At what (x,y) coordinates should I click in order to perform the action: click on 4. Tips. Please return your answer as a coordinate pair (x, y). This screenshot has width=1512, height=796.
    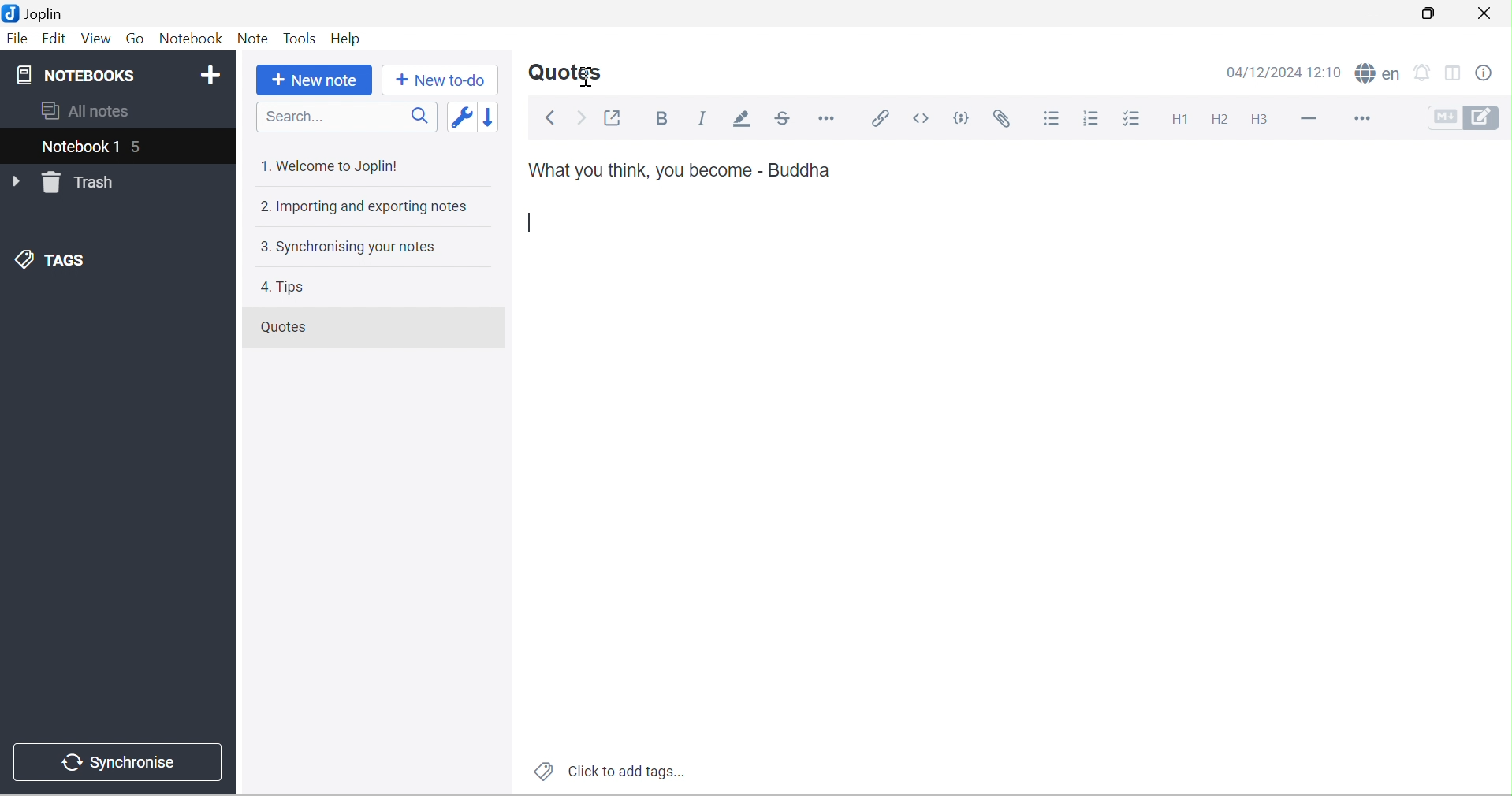
    Looking at the image, I should click on (284, 287).